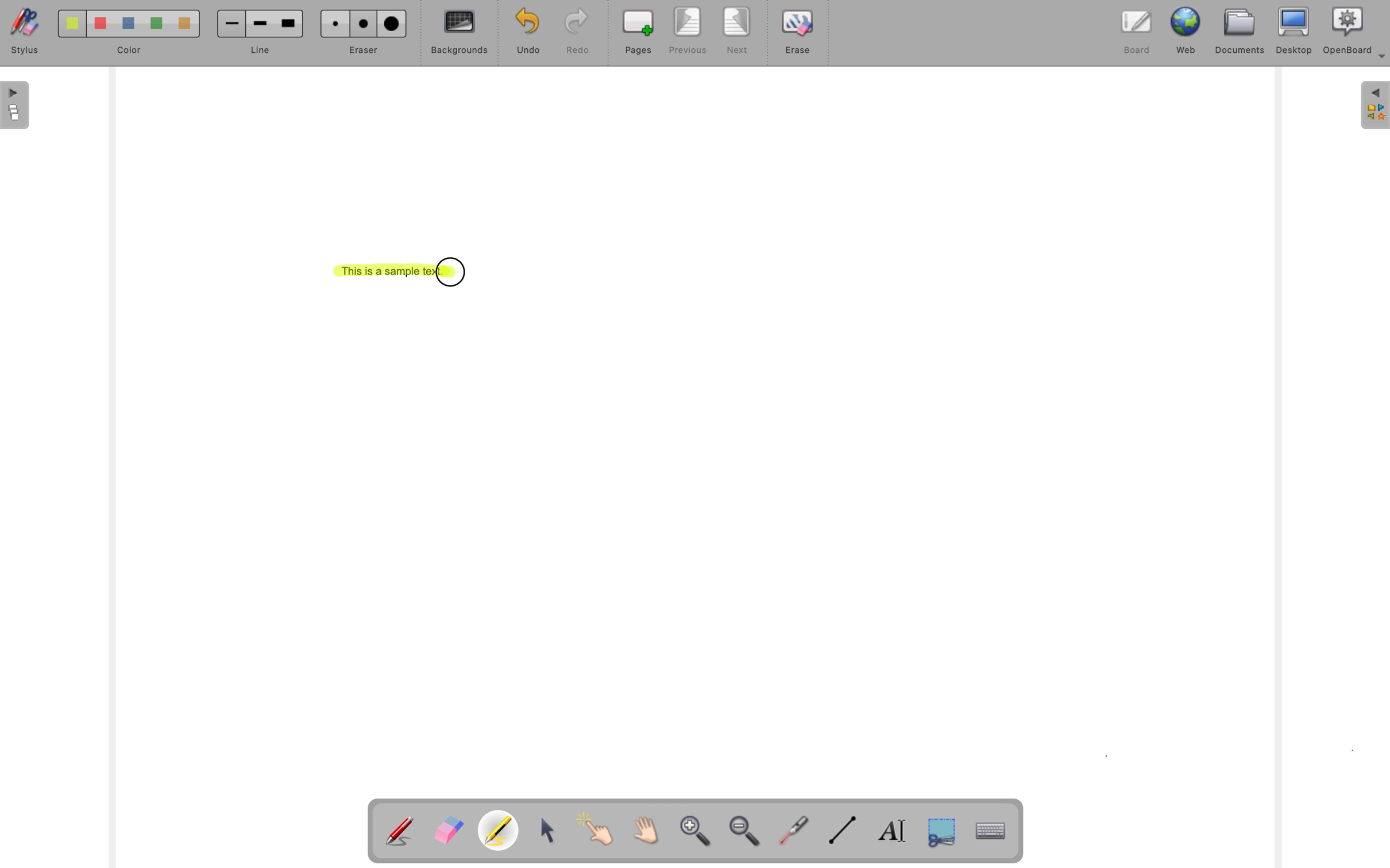 The width and height of the screenshot is (1390, 868). What do you see at coordinates (450, 270) in the screenshot?
I see `cursor` at bounding box center [450, 270].